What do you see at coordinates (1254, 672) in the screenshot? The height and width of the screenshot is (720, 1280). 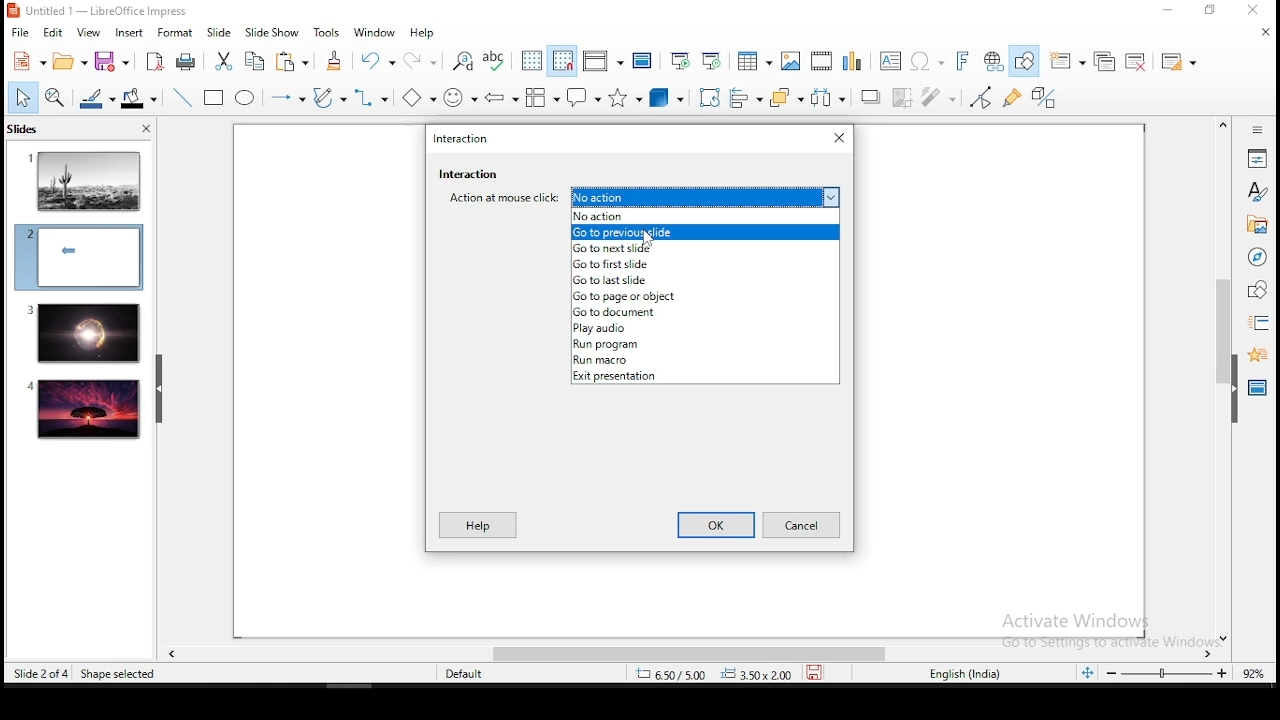 I see `zoom level` at bounding box center [1254, 672].